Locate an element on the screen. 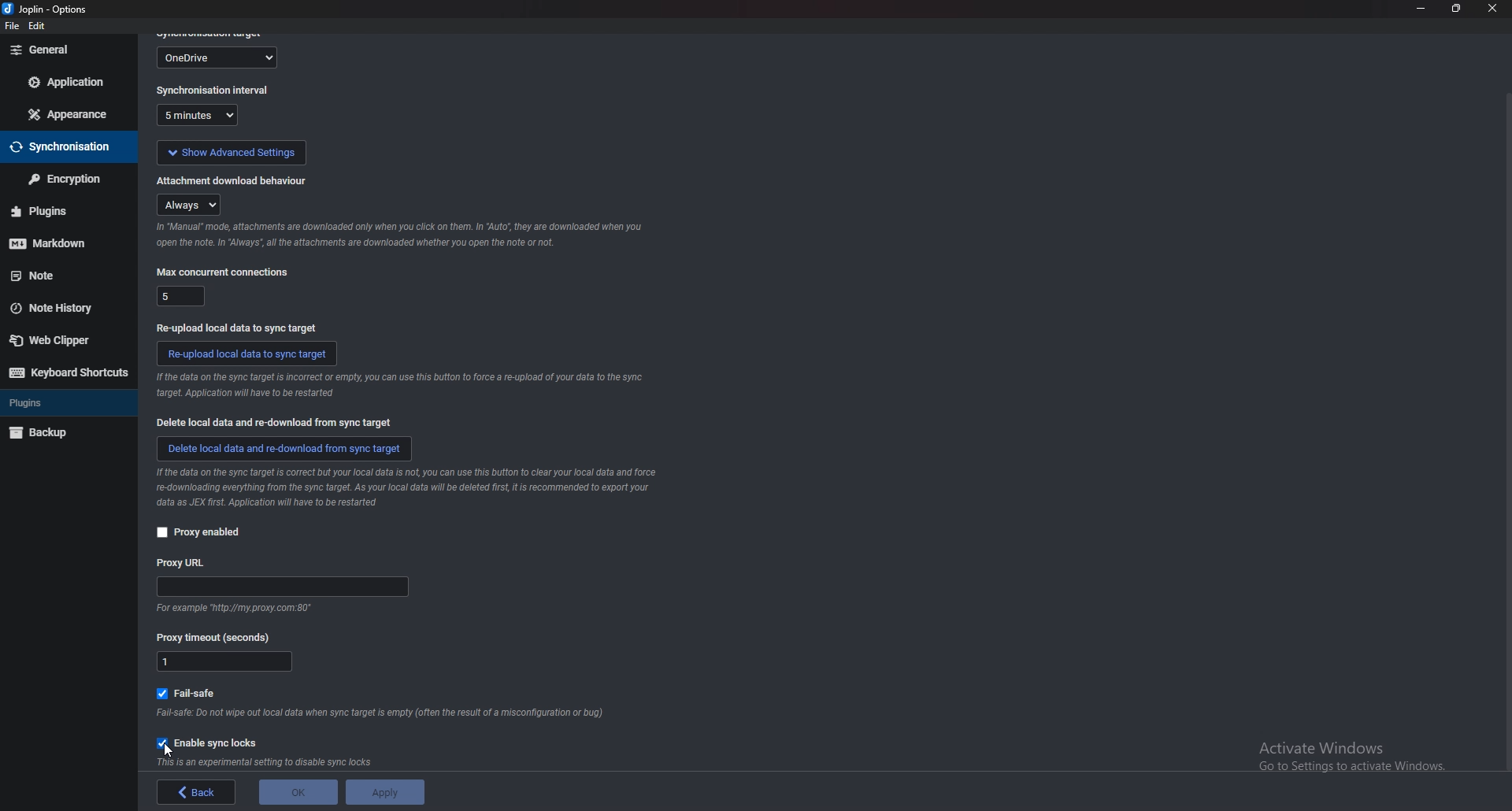  max concurrent connections is located at coordinates (180, 294).